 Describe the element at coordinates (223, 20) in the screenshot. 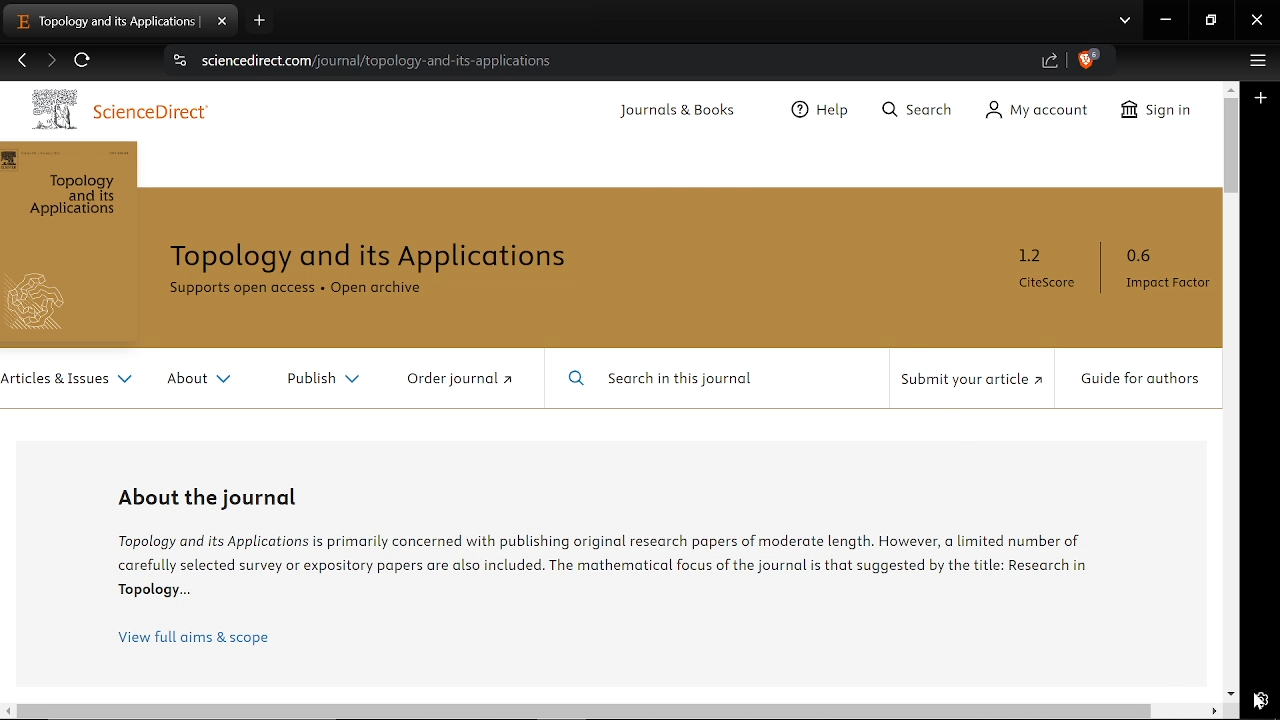

I see `Close current tab` at that location.